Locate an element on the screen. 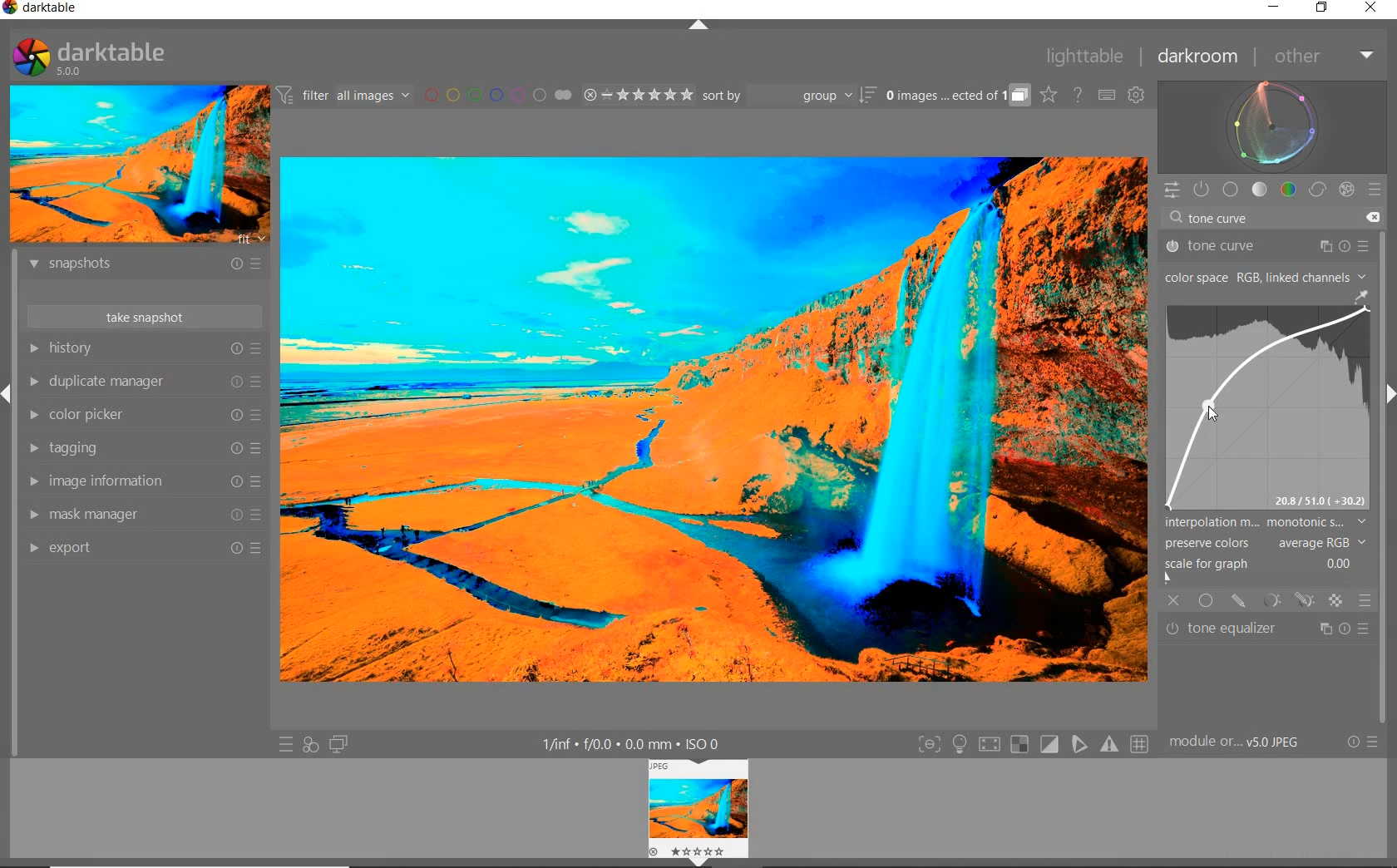 This screenshot has width=1397, height=868. darkroom is located at coordinates (1198, 57).